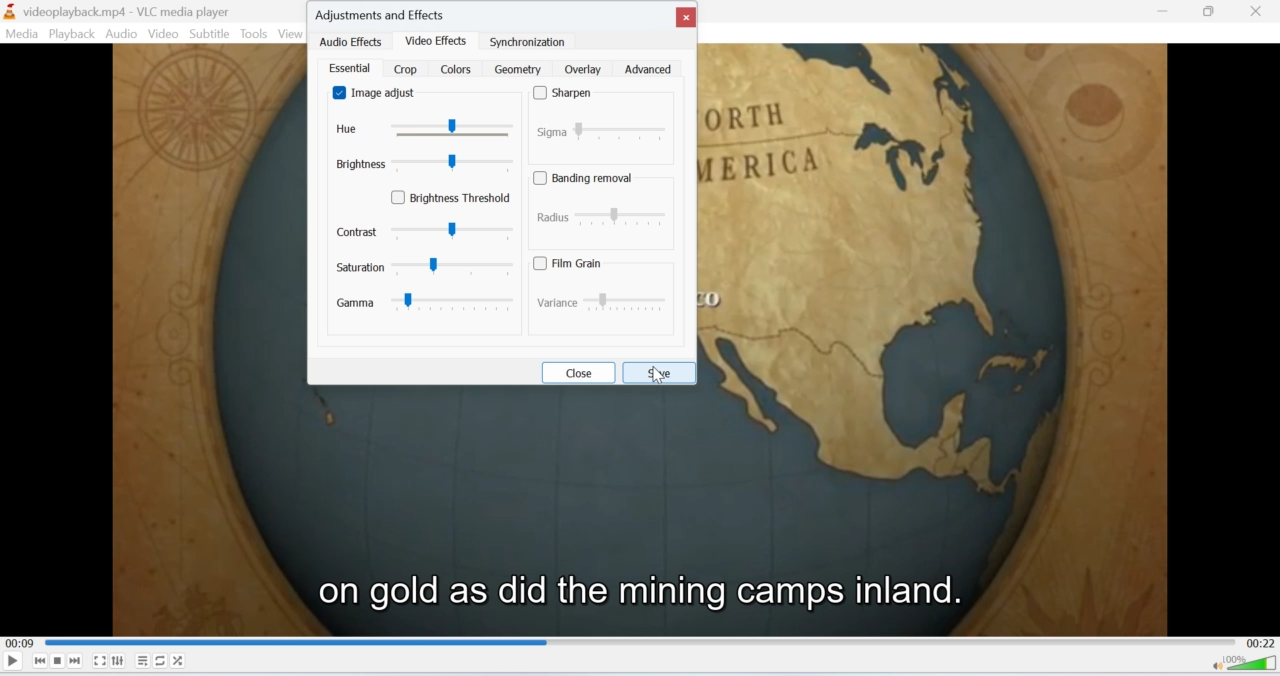 This screenshot has height=676, width=1280. I want to click on Seek backwards, so click(41, 662).